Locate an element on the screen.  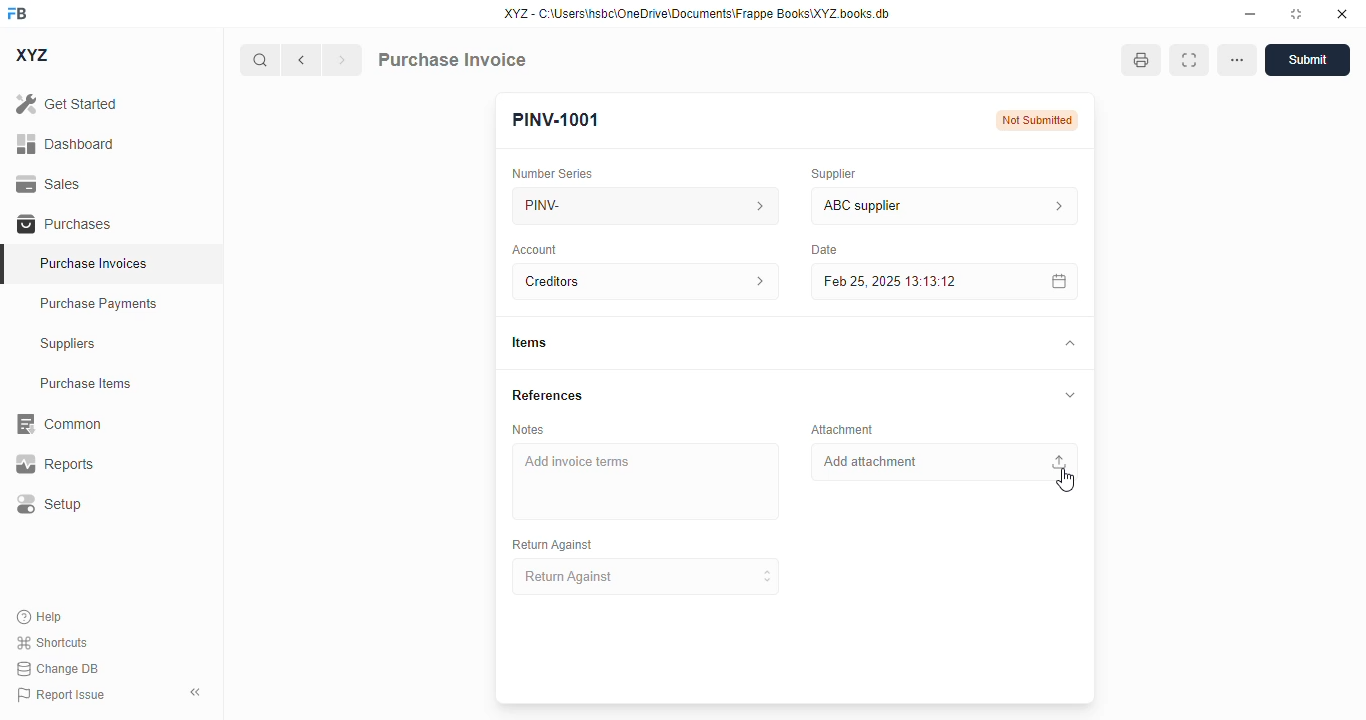
open print view is located at coordinates (1141, 60).